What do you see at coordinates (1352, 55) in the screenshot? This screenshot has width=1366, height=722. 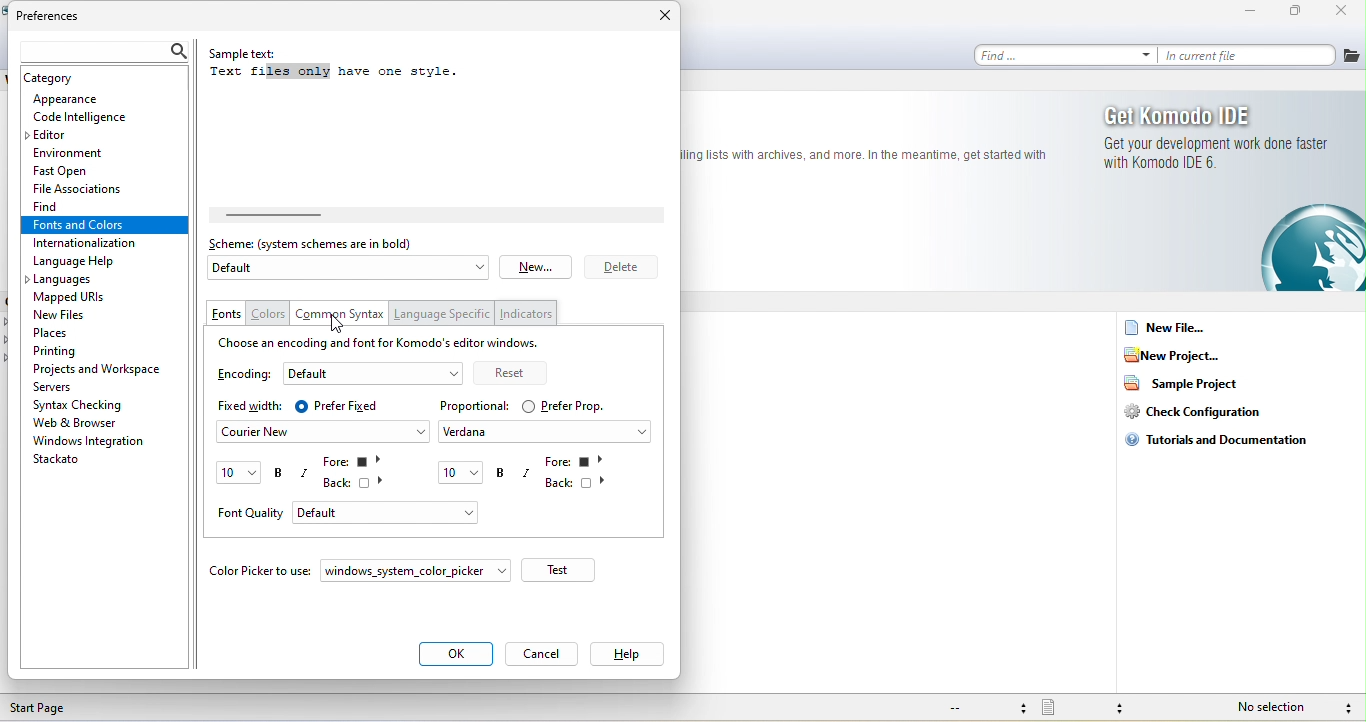 I see `file` at bounding box center [1352, 55].